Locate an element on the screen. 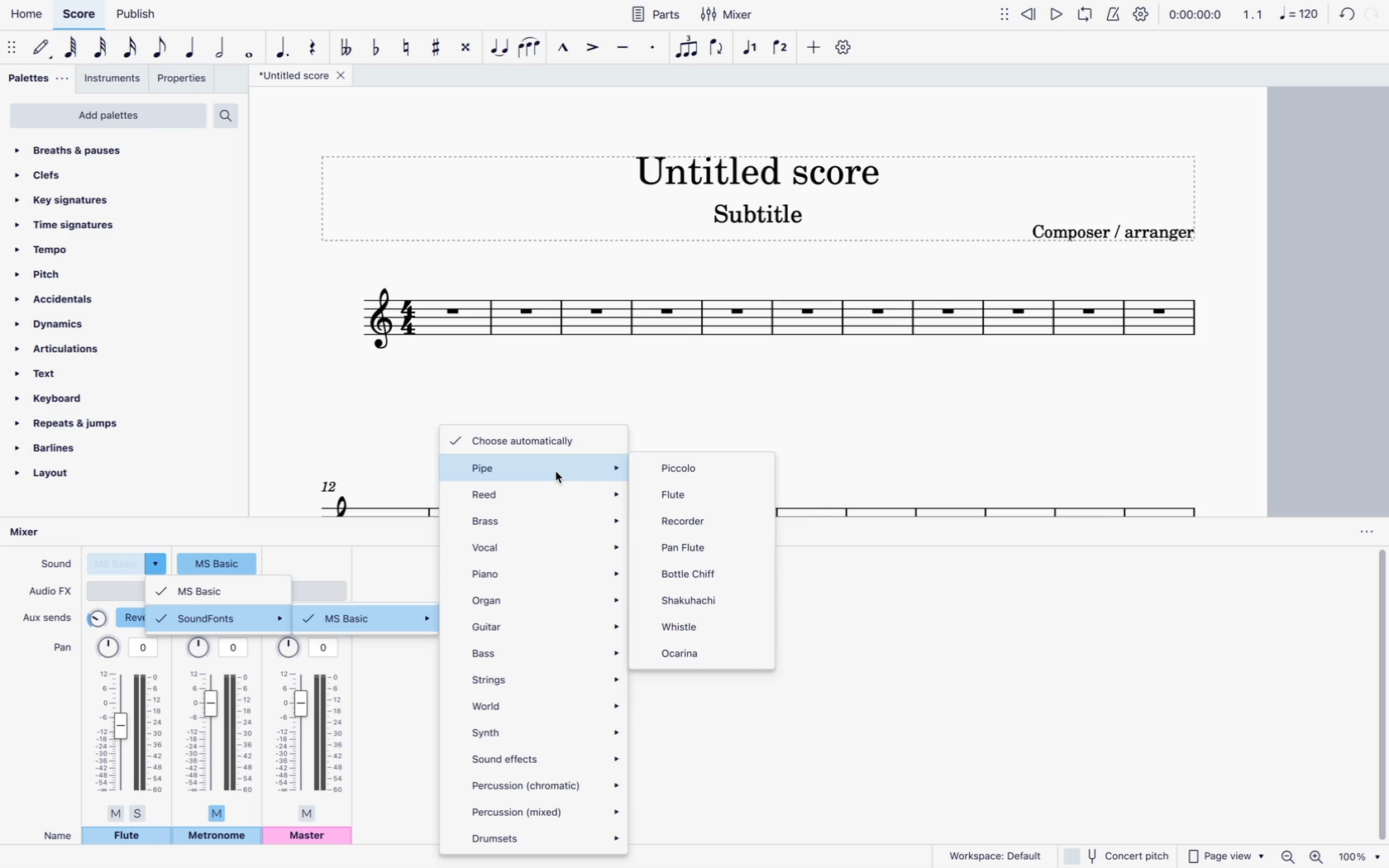 The height and width of the screenshot is (868, 1389). tuplet is located at coordinates (688, 51).